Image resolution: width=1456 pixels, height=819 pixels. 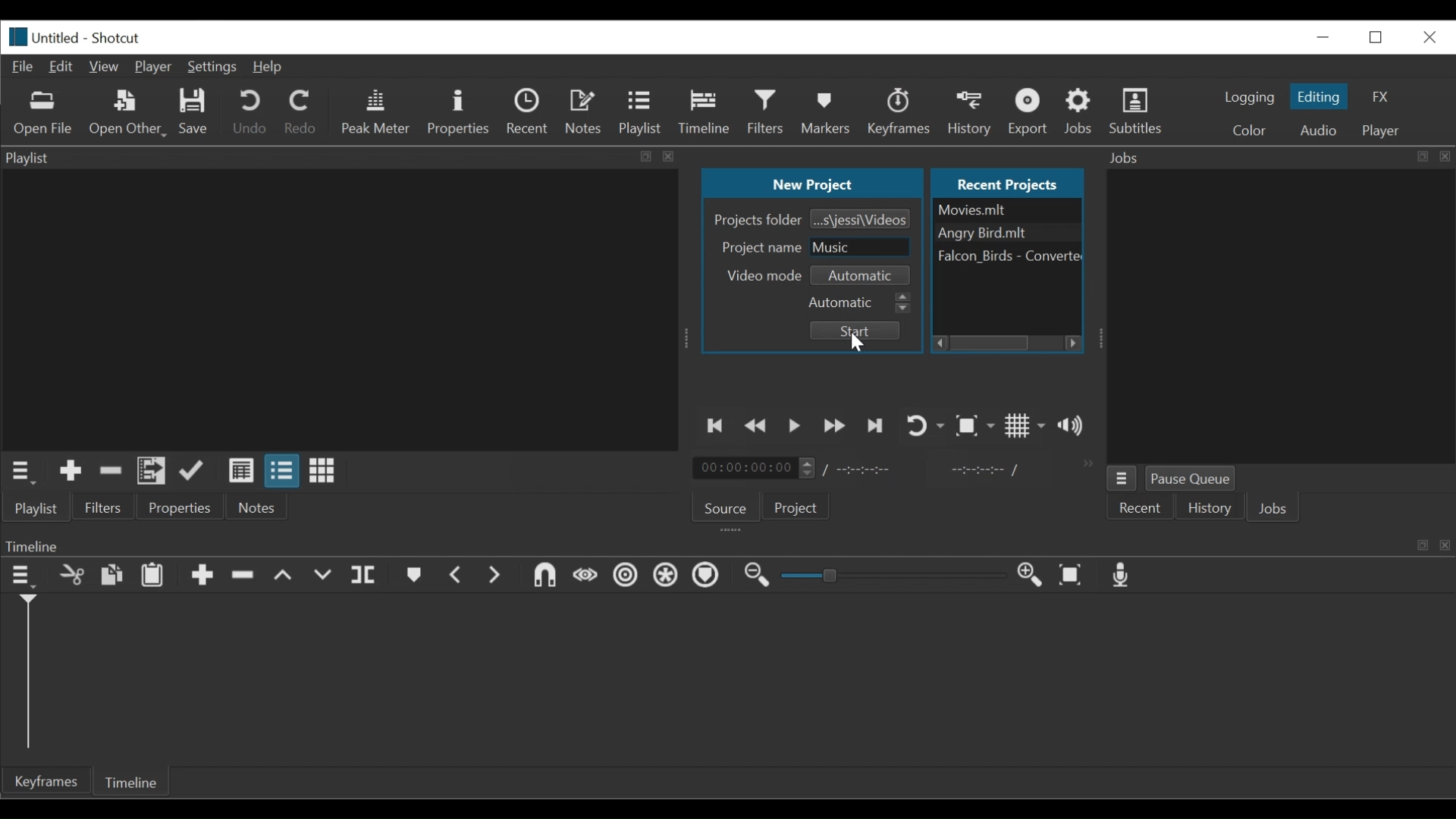 What do you see at coordinates (1034, 576) in the screenshot?
I see `Zoom Timeline in` at bounding box center [1034, 576].